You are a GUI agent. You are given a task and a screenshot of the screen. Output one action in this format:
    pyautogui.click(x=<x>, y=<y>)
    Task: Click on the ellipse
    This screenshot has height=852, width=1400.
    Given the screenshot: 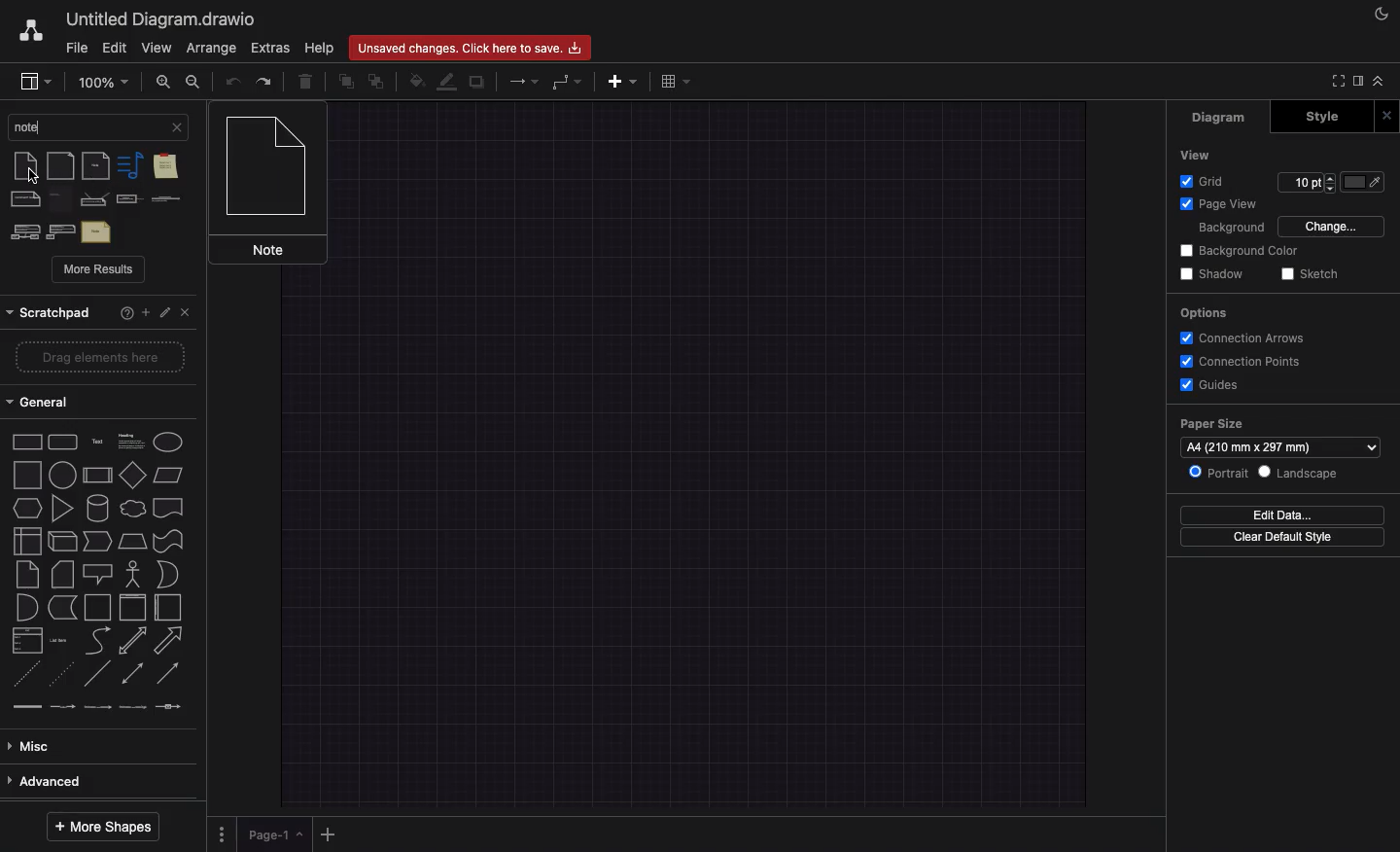 What is the action you would take?
    pyautogui.click(x=169, y=442)
    